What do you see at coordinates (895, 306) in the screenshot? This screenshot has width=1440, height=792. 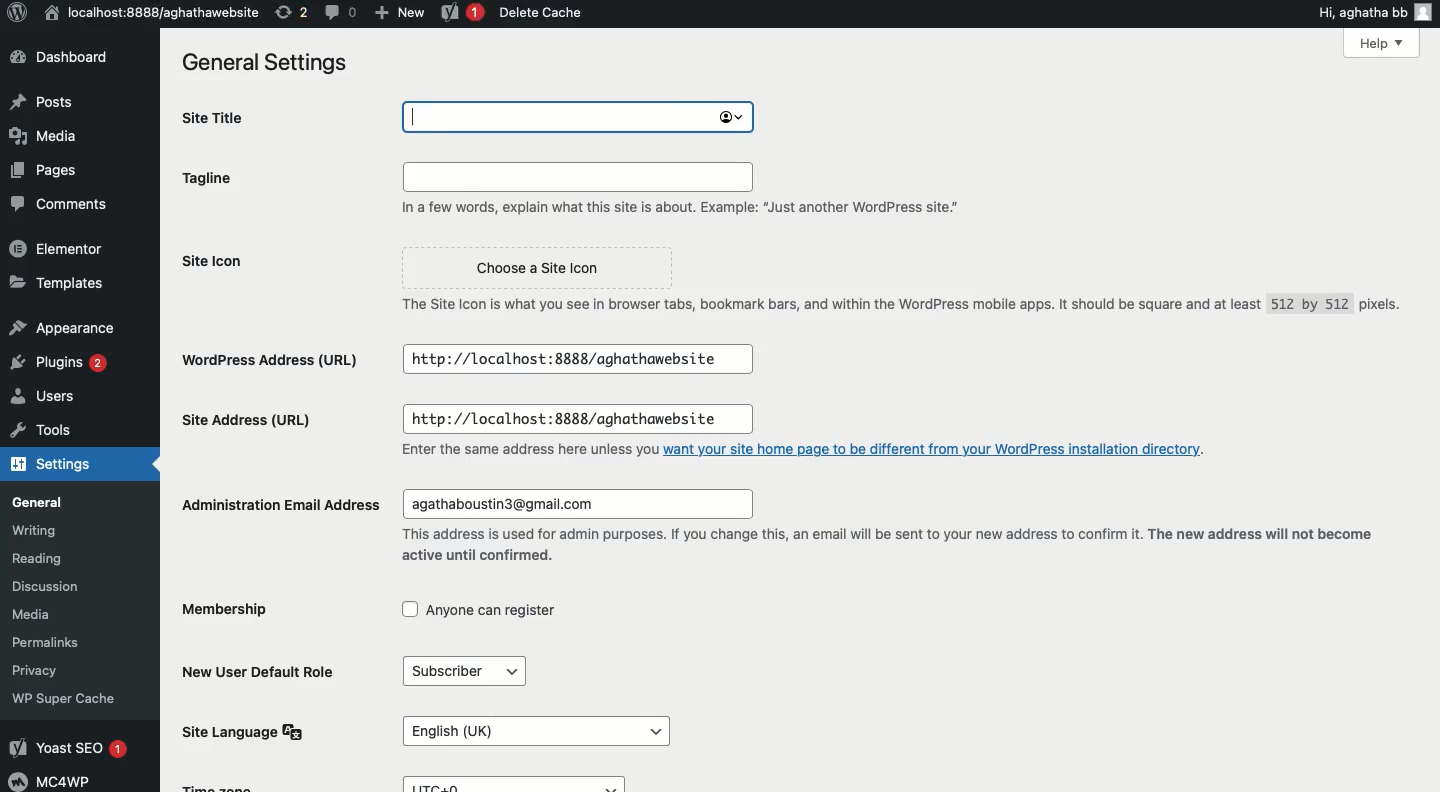 I see `The Site Icon is what you see in browser tabs, bookmark bars, and within the WordPress mobile apps. It should be square and at least 512 by 512 pixels.` at bounding box center [895, 306].